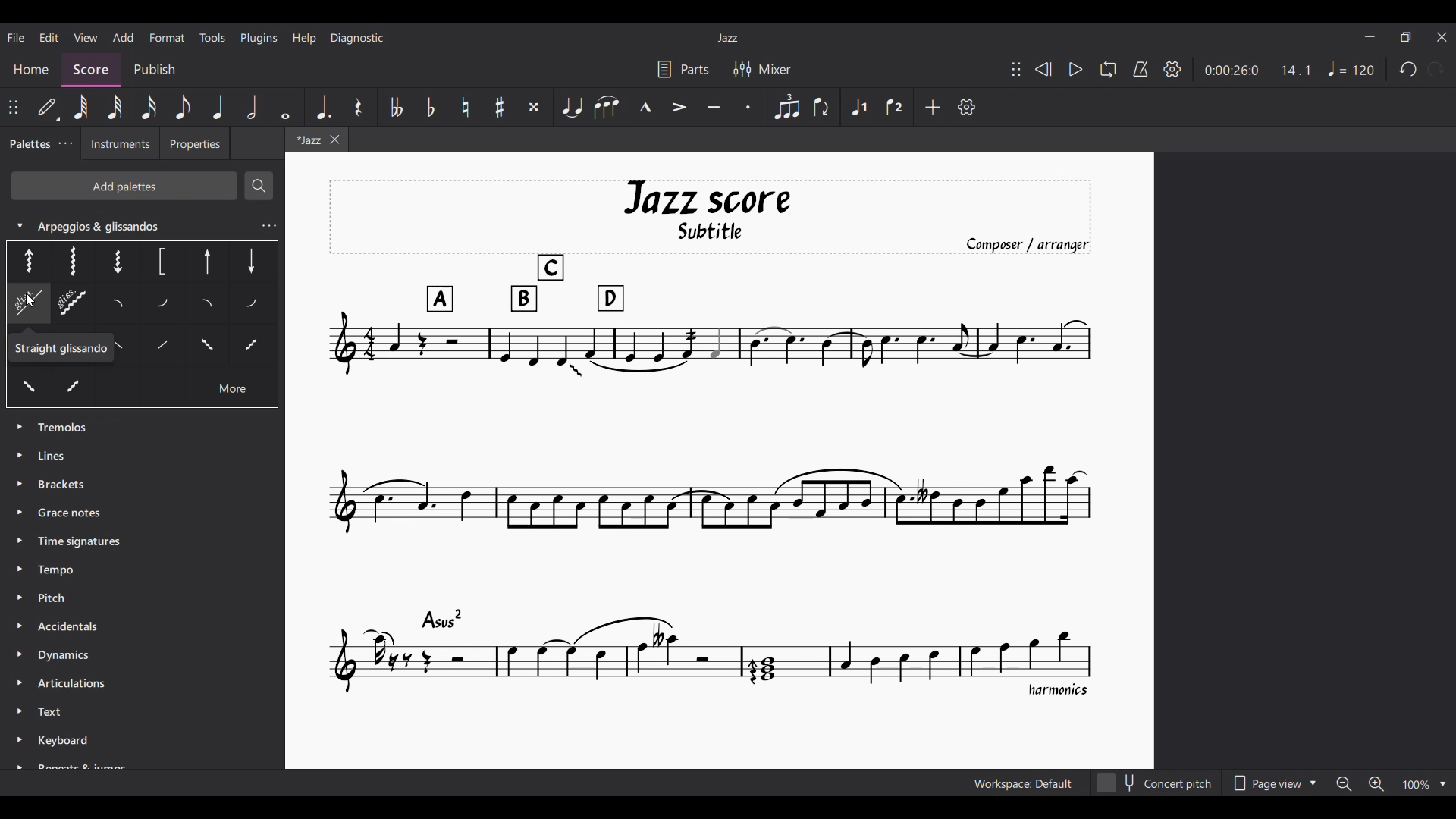 Image resolution: width=1456 pixels, height=819 pixels. What do you see at coordinates (823, 107) in the screenshot?
I see `Flip direction` at bounding box center [823, 107].